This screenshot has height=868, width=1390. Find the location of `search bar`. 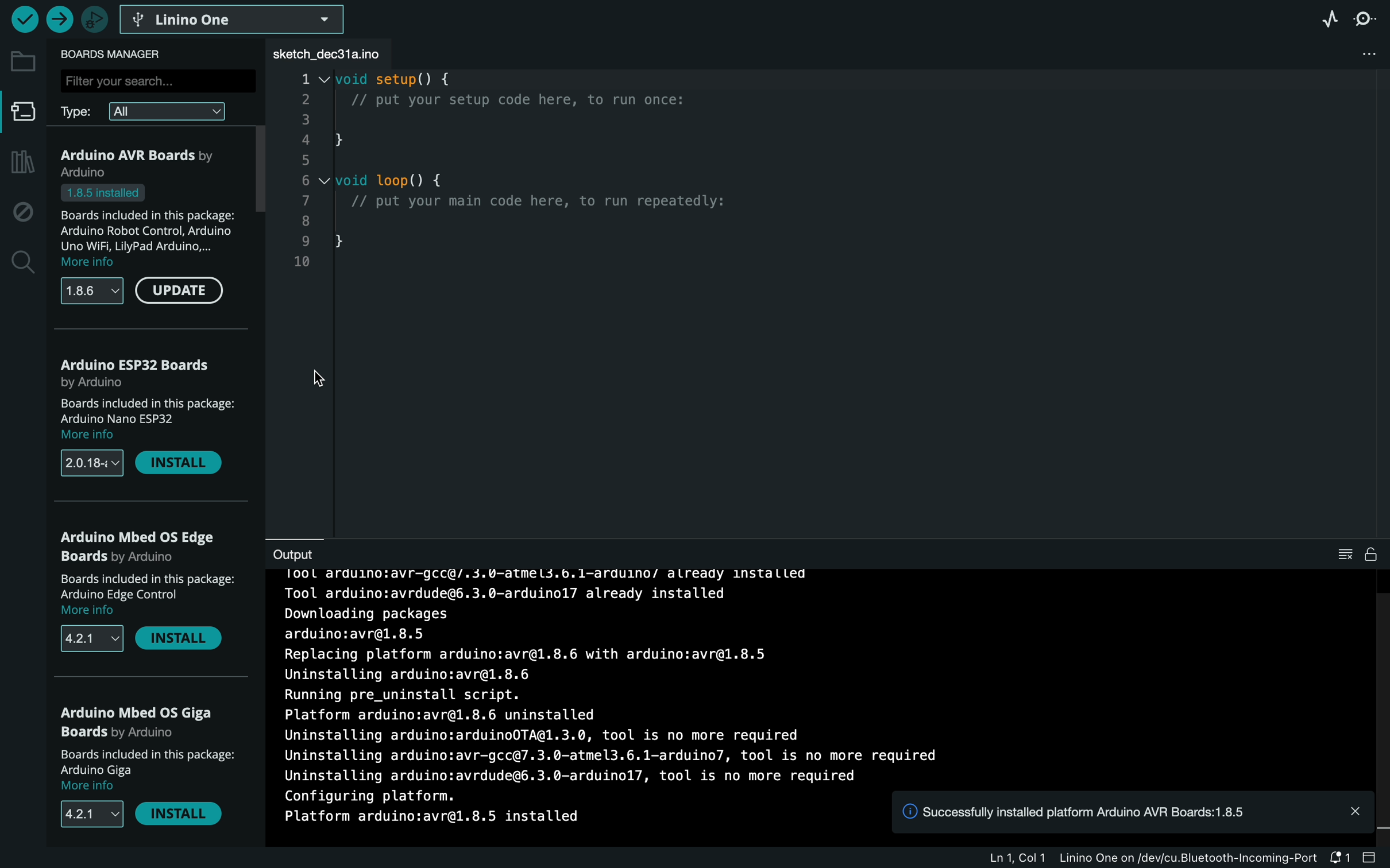

search bar is located at coordinates (156, 80).